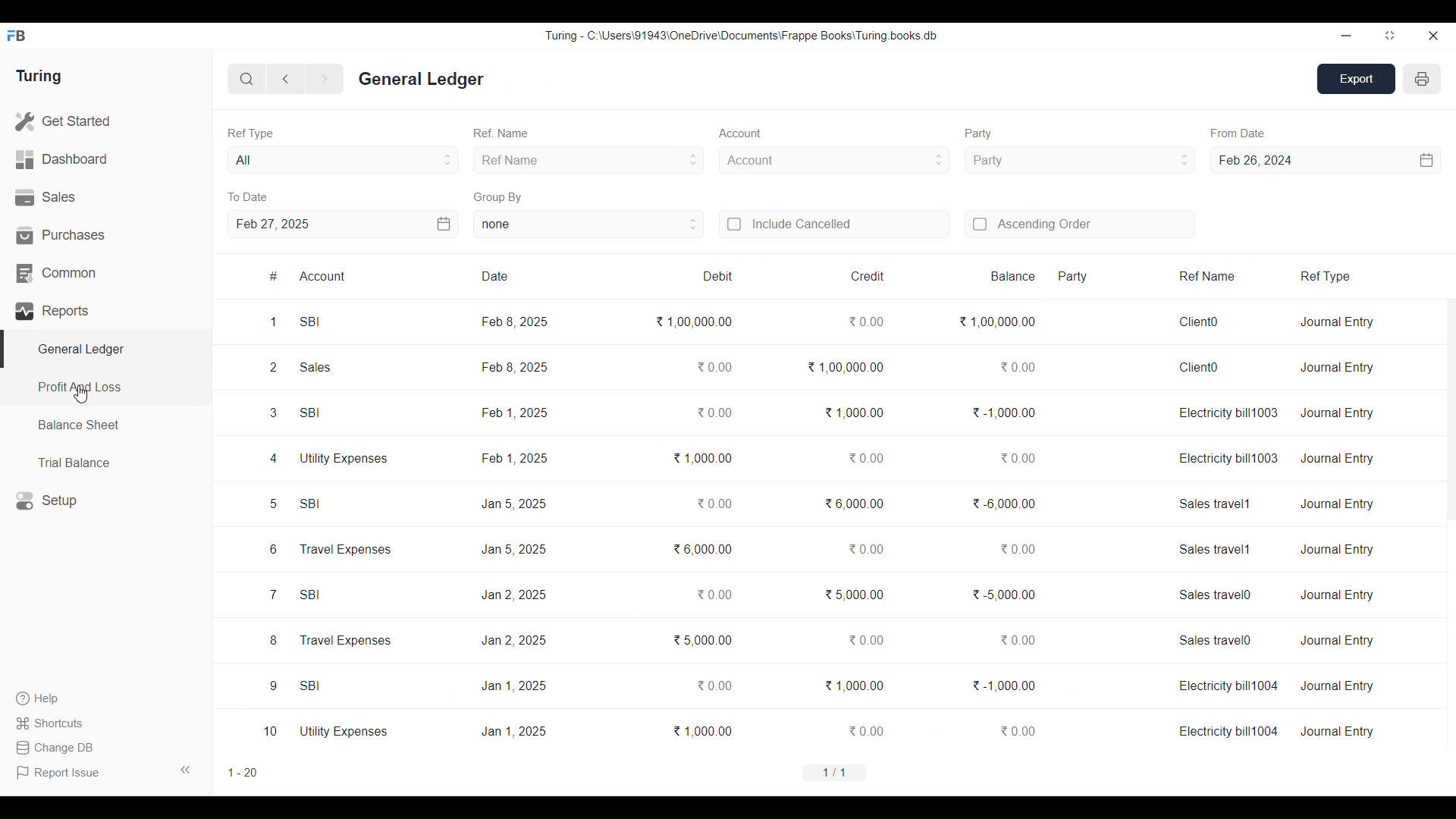 The width and height of the screenshot is (1456, 819). I want to click on Help, so click(52, 698).